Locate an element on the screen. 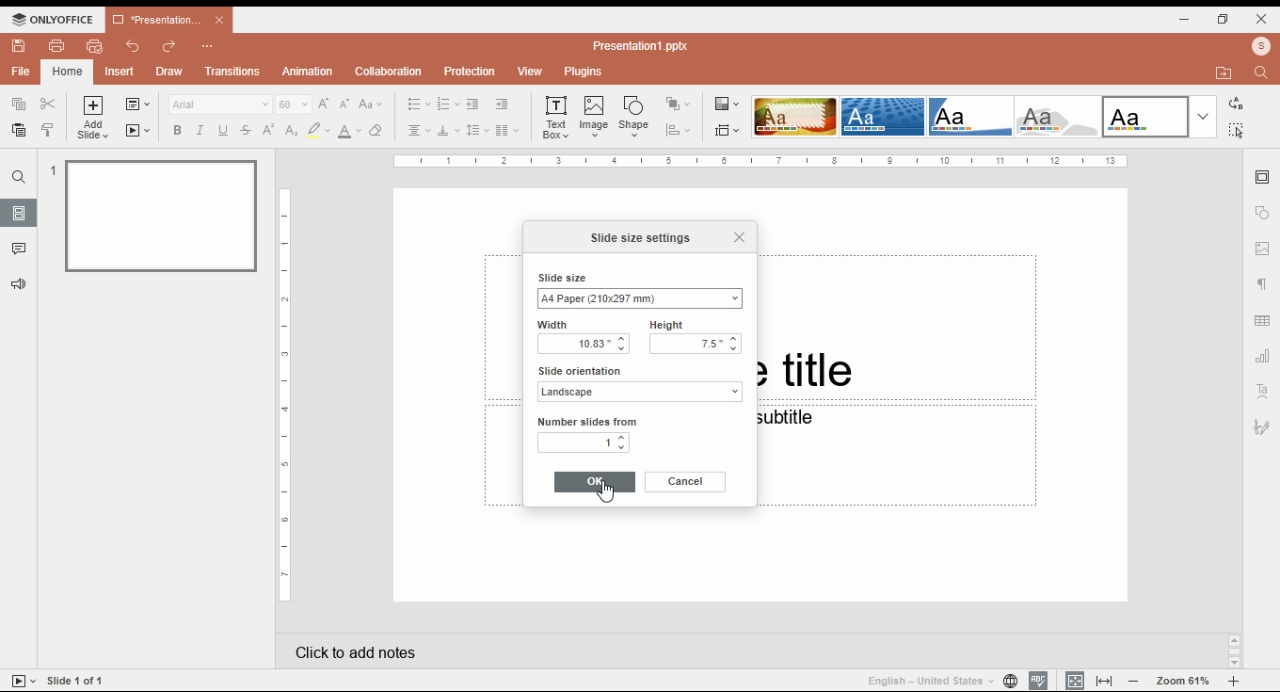 The height and width of the screenshot is (692, 1280). restore is located at coordinates (1223, 19).